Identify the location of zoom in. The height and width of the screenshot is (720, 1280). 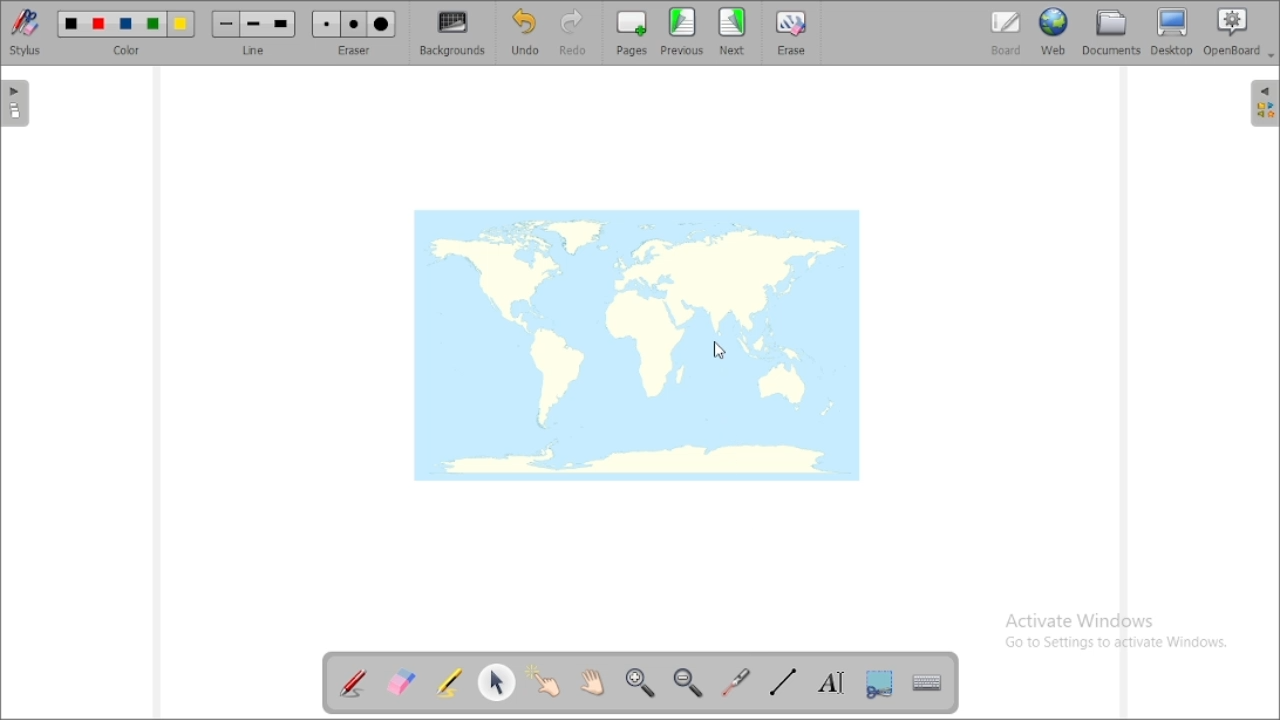
(640, 681).